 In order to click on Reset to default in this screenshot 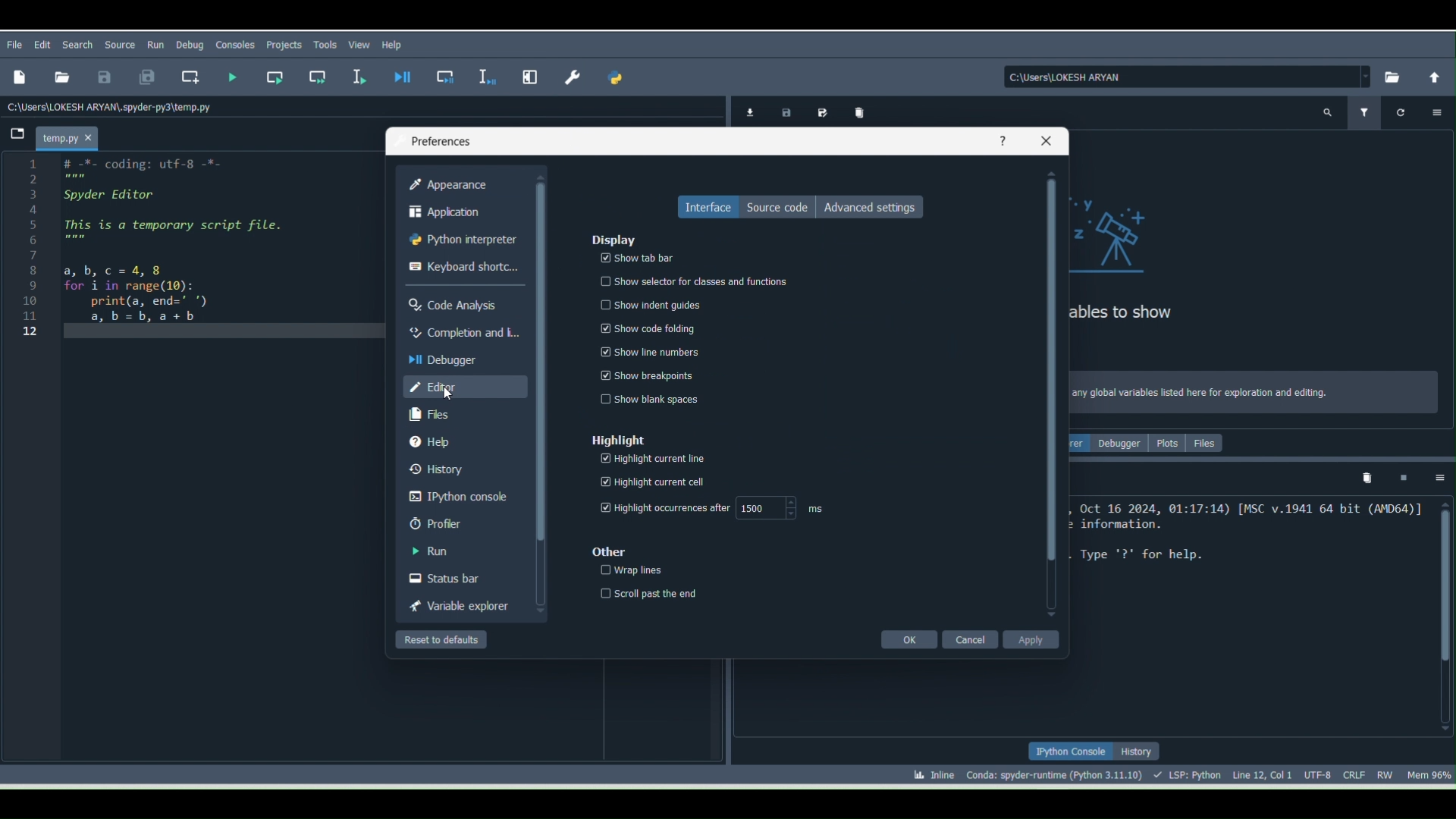, I will do `click(447, 639)`.